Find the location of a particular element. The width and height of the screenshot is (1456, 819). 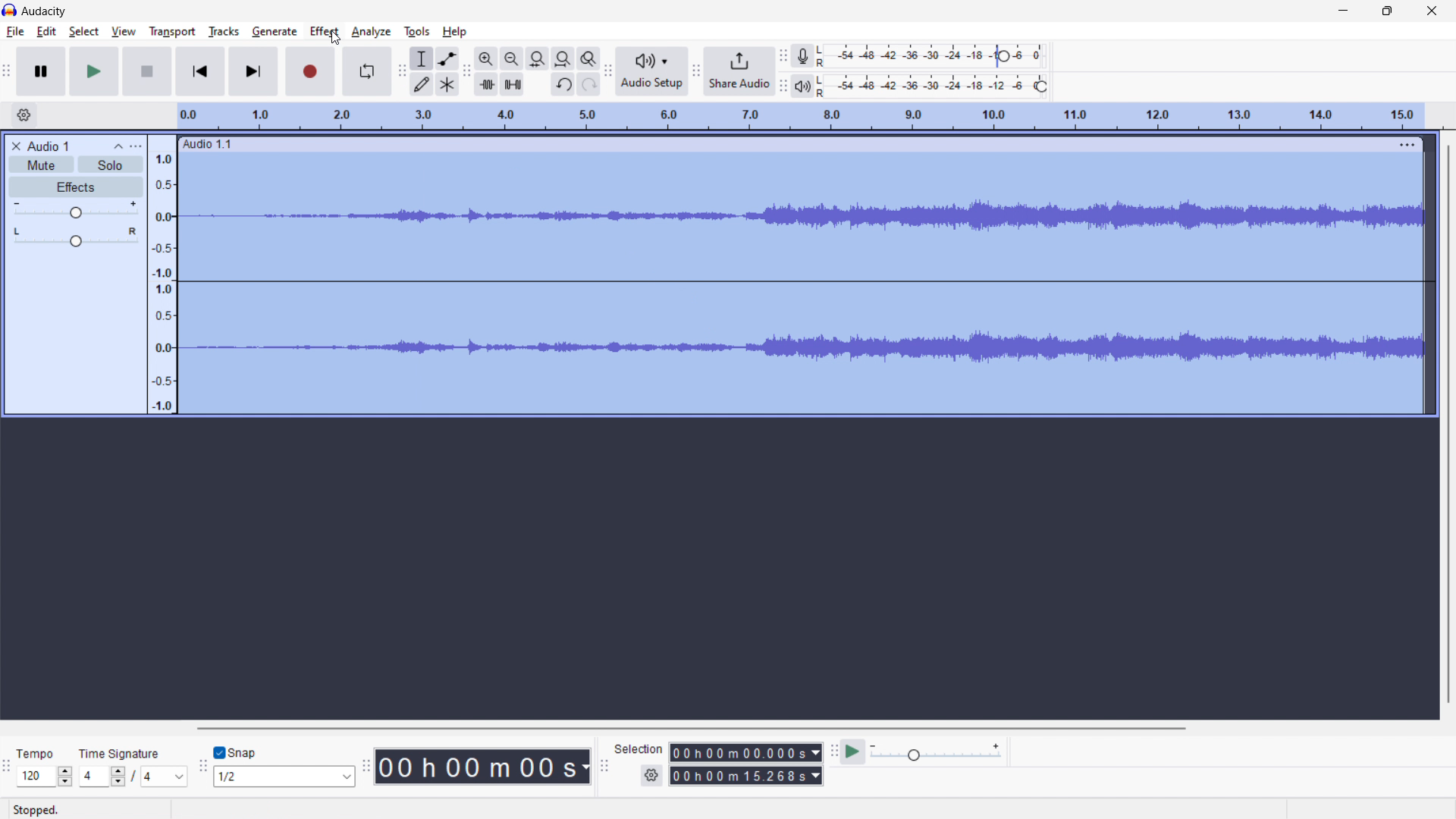

fit selection to width is located at coordinates (537, 59).